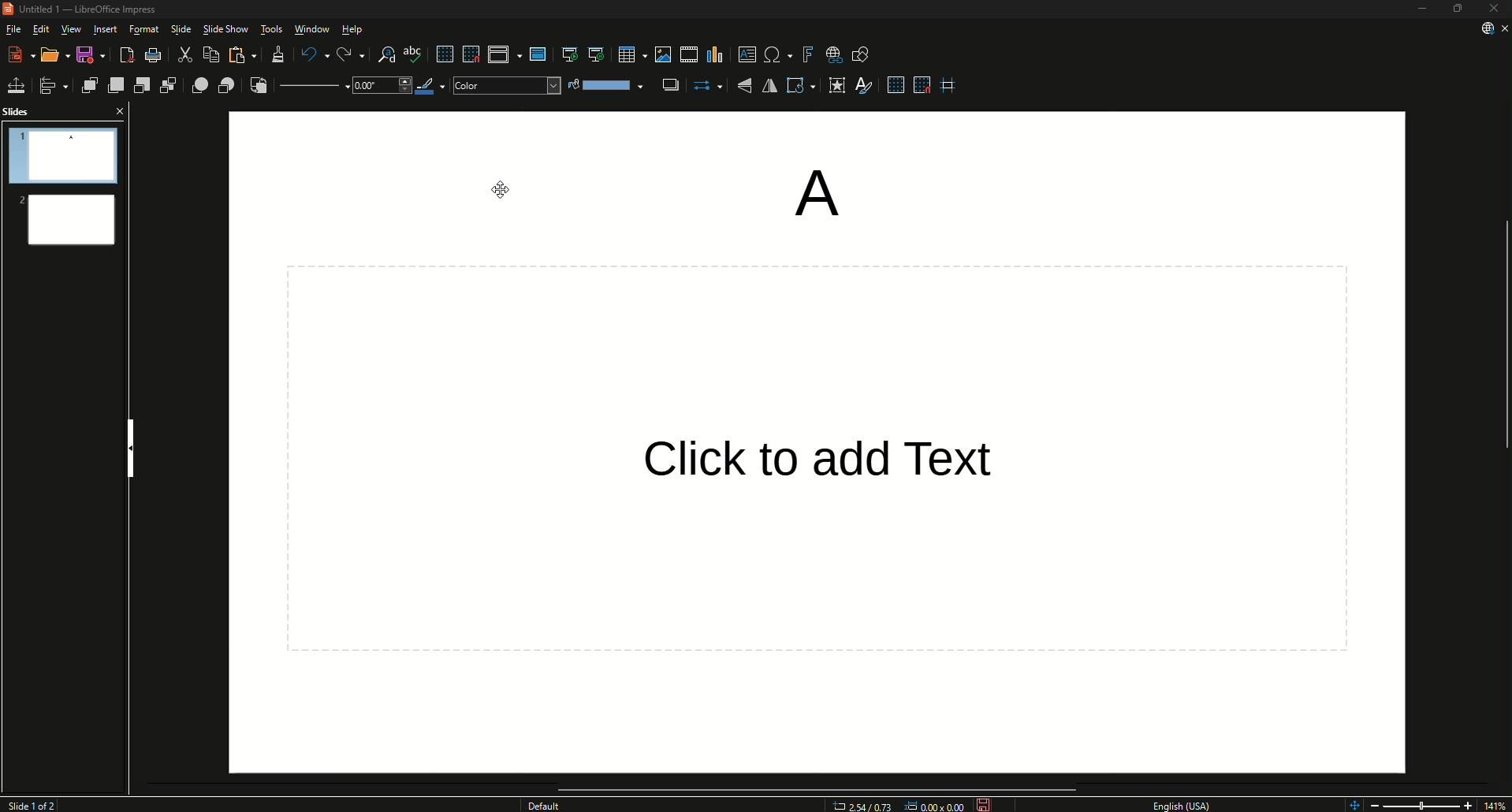  What do you see at coordinates (277, 55) in the screenshot?
I see `Clone Formatting` at bounding box center [277, 55].